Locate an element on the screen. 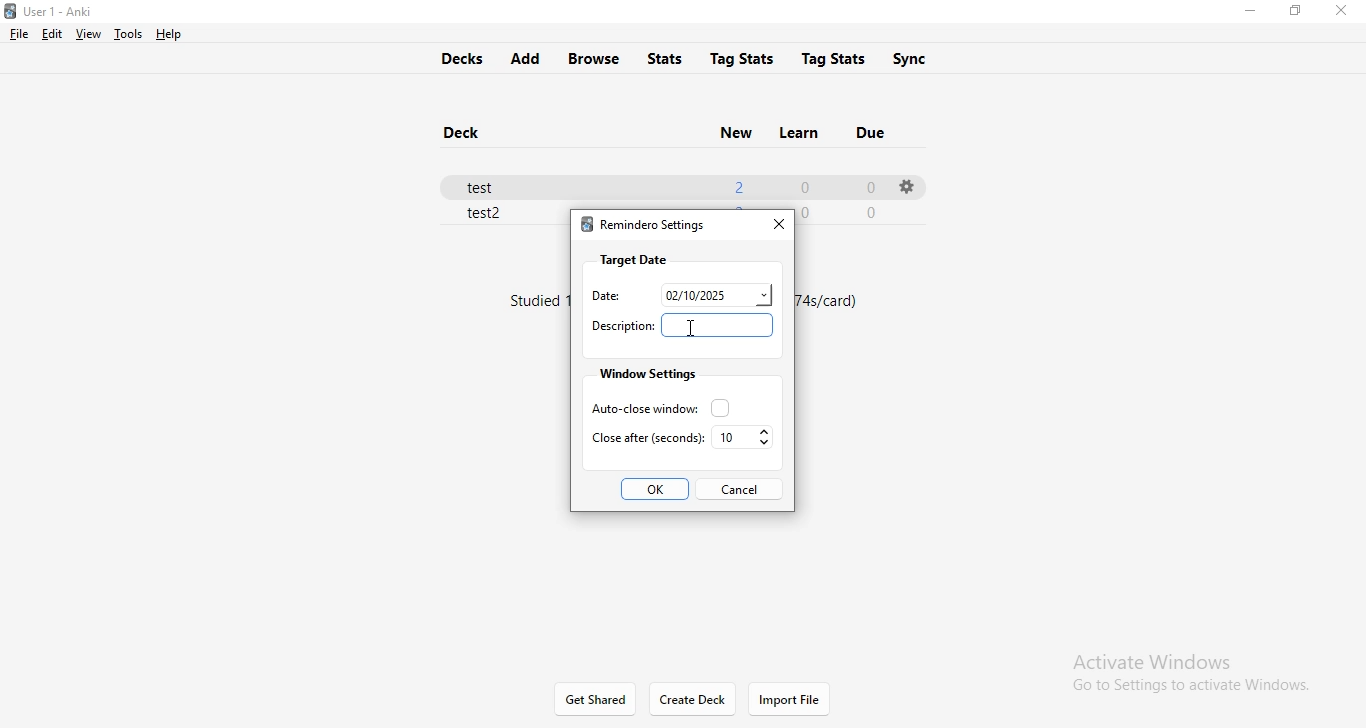  tag stats is located at coordinates (742, 57).